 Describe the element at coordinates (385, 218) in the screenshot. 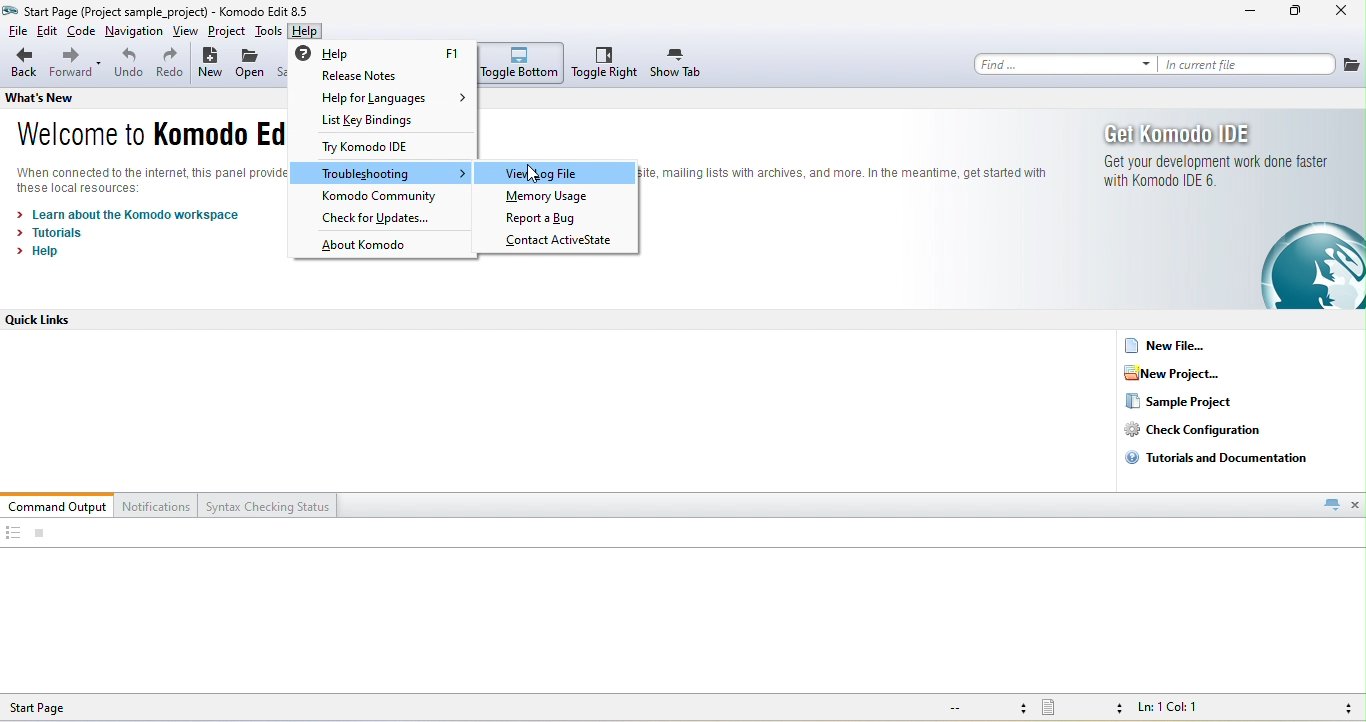

I see `check for updates` at that location.